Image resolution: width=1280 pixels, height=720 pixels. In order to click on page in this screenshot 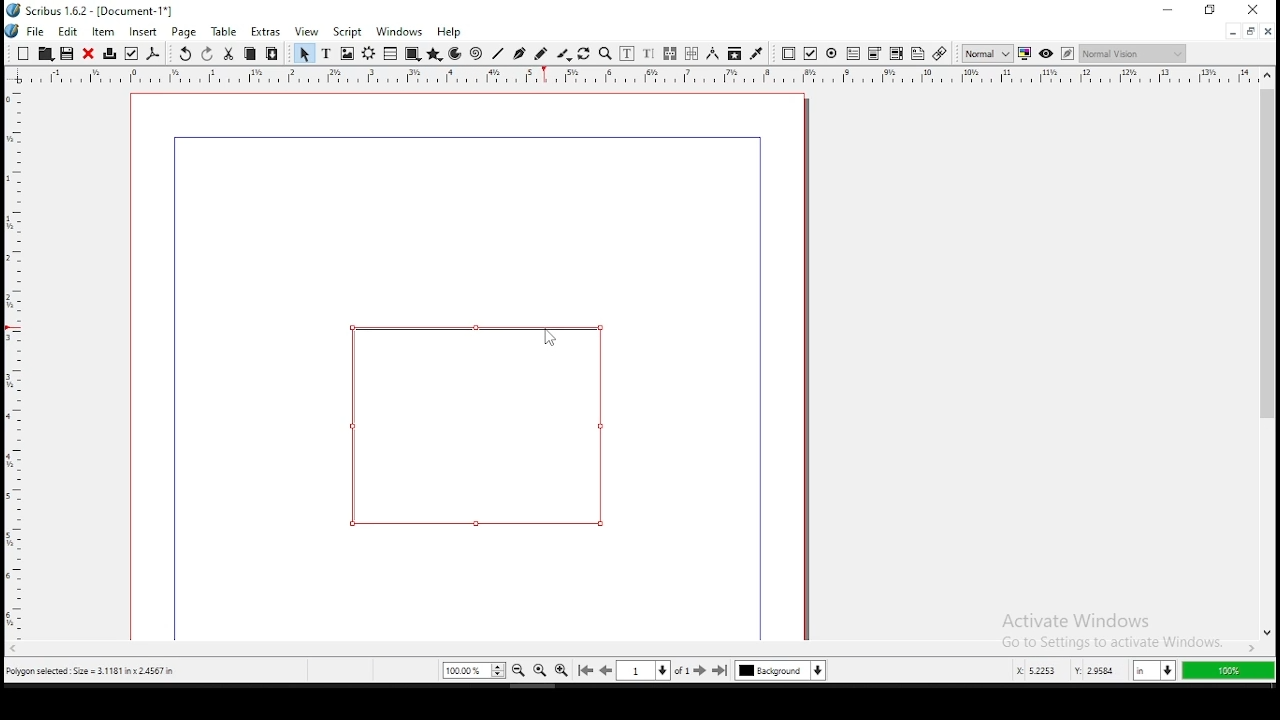, I will do `click(183, 32)`.